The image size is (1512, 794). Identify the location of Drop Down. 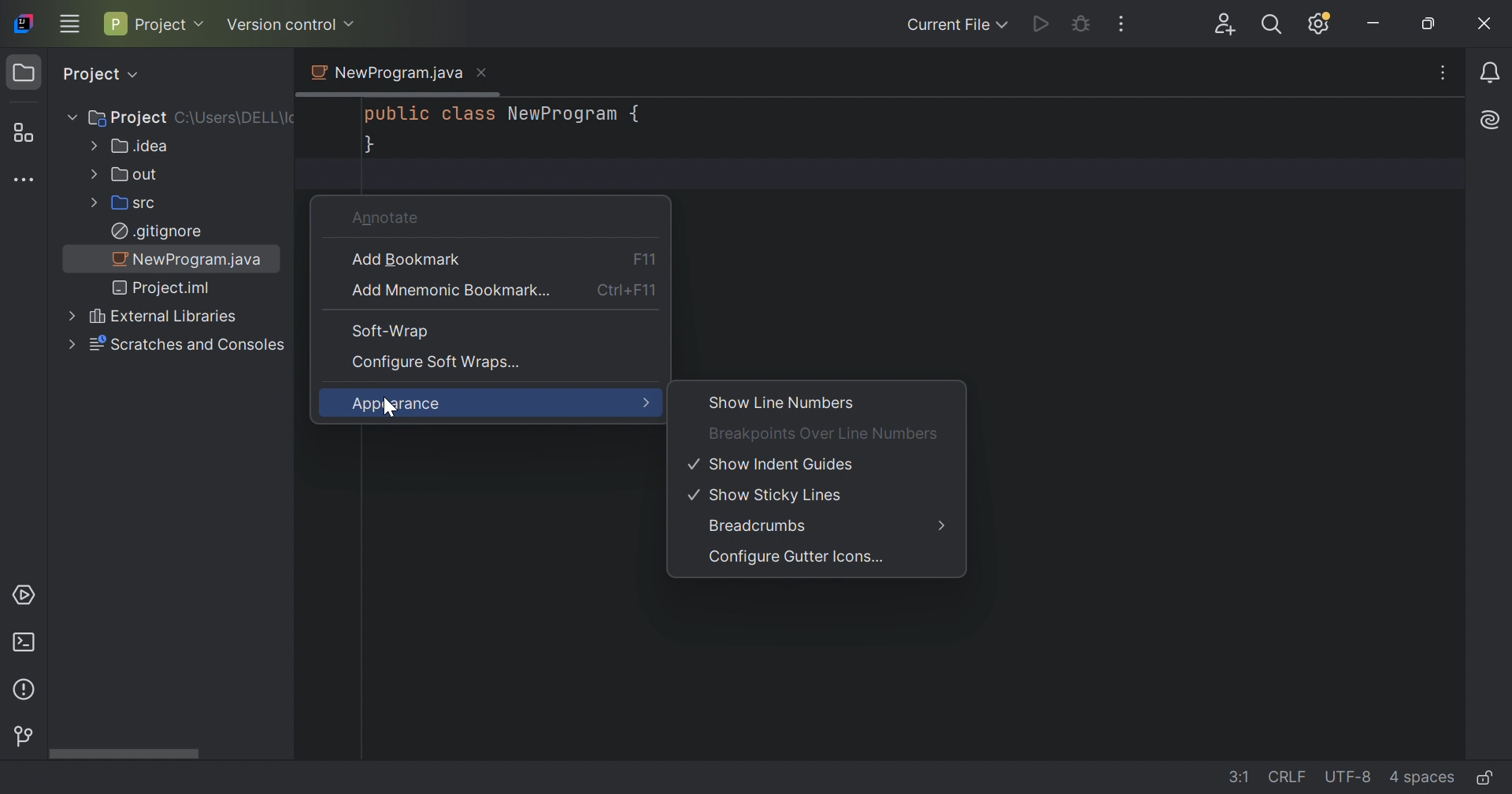
(1005, 25).